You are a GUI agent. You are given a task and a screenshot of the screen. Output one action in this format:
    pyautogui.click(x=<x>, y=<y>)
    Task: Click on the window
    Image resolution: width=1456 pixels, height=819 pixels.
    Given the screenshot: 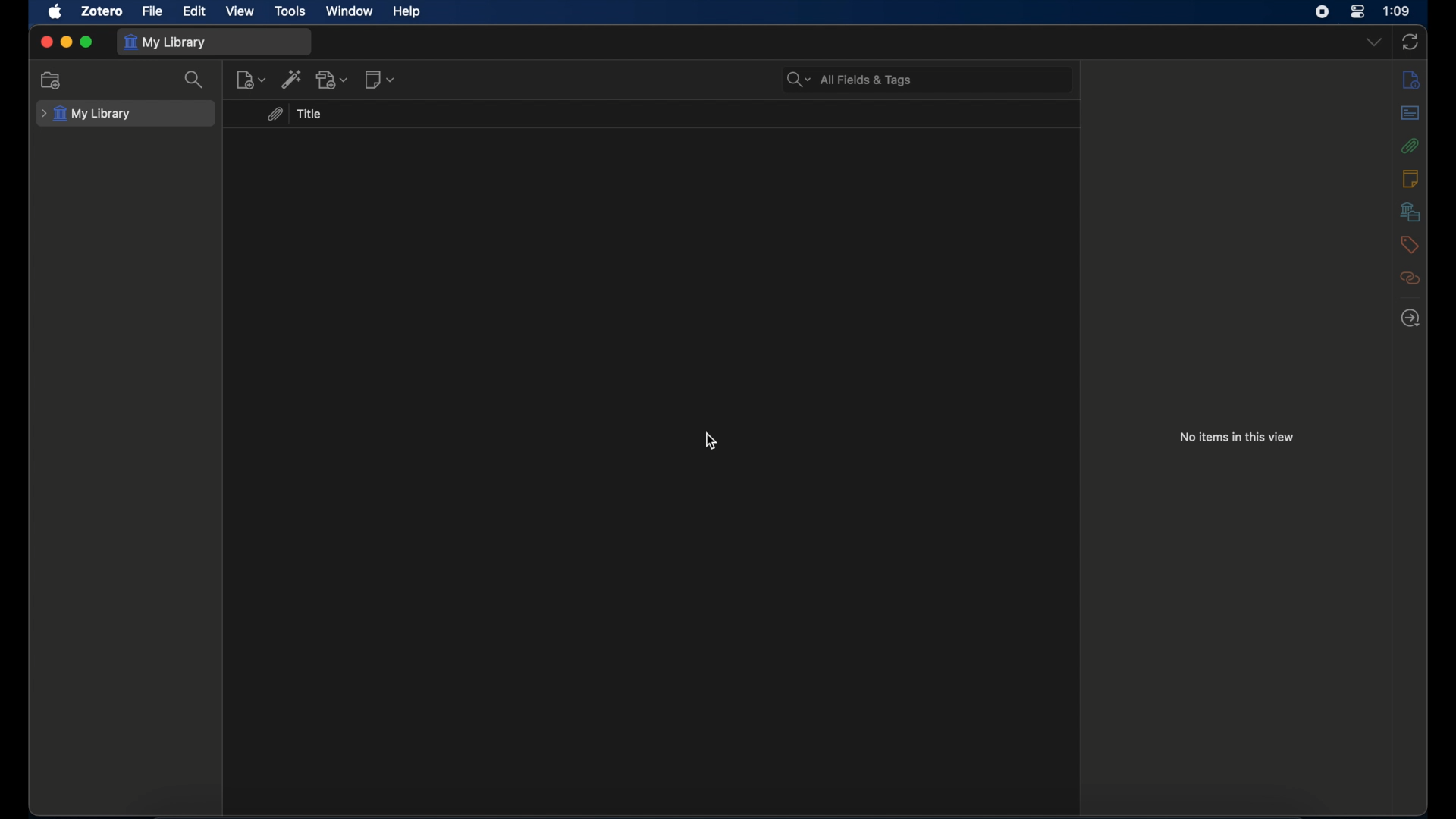 What is the action you would take?
    pyautogui.click(x=349, y=11)
    